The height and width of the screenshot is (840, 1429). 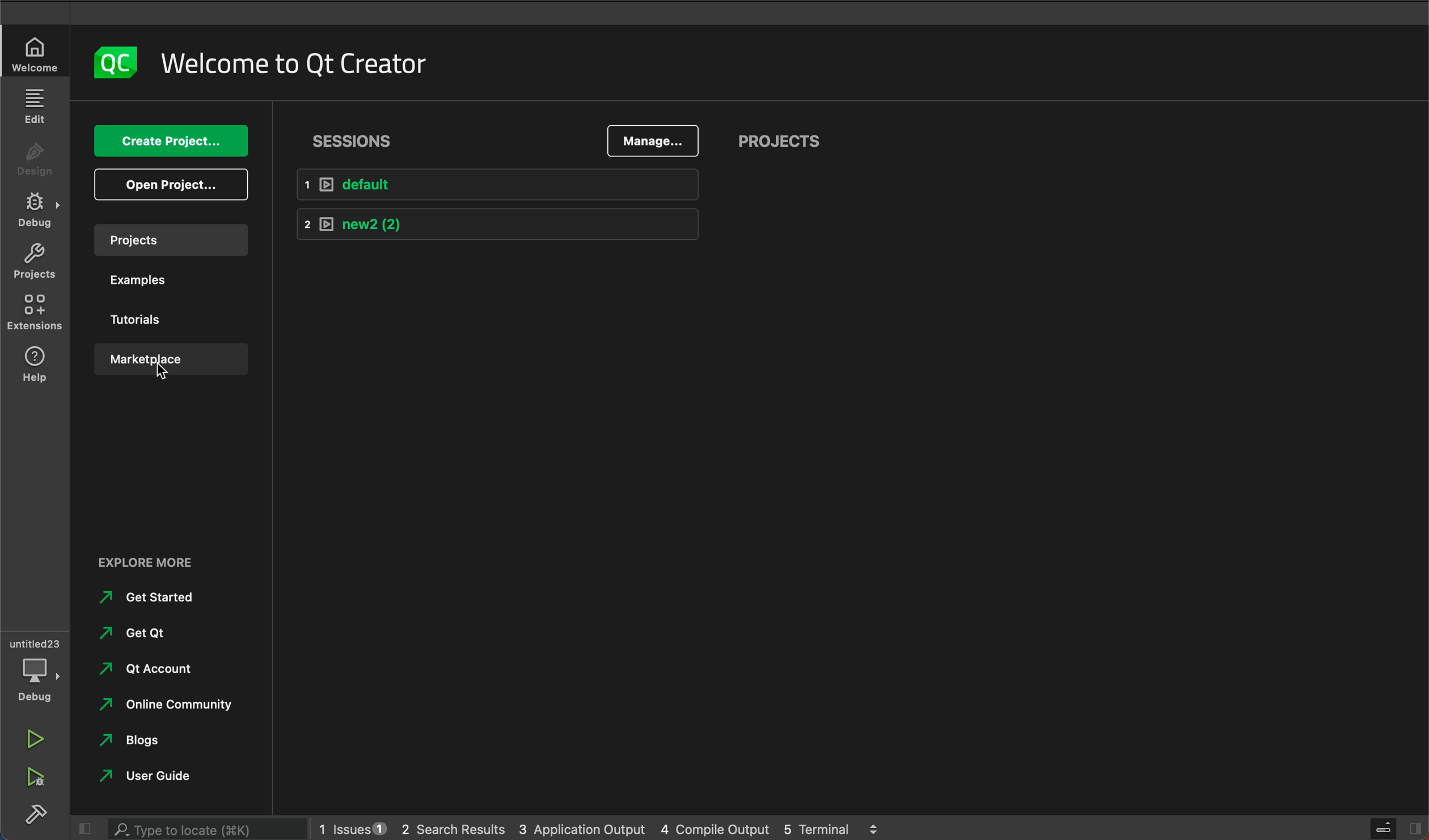 I want to click on , so click(x=166, y=745).